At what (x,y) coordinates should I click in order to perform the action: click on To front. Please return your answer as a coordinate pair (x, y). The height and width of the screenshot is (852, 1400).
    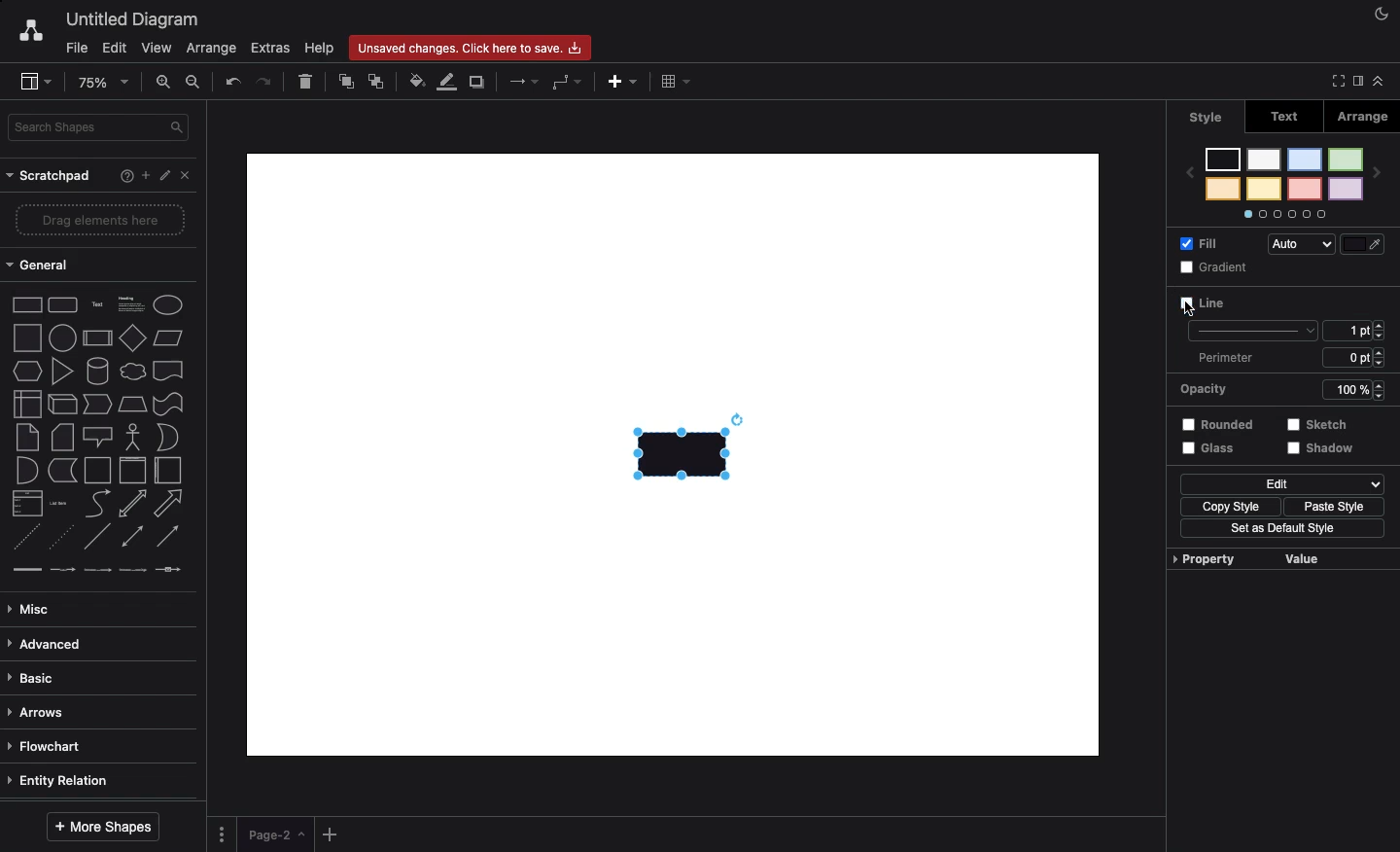
    Looking at the image, I should click on (346, 81).